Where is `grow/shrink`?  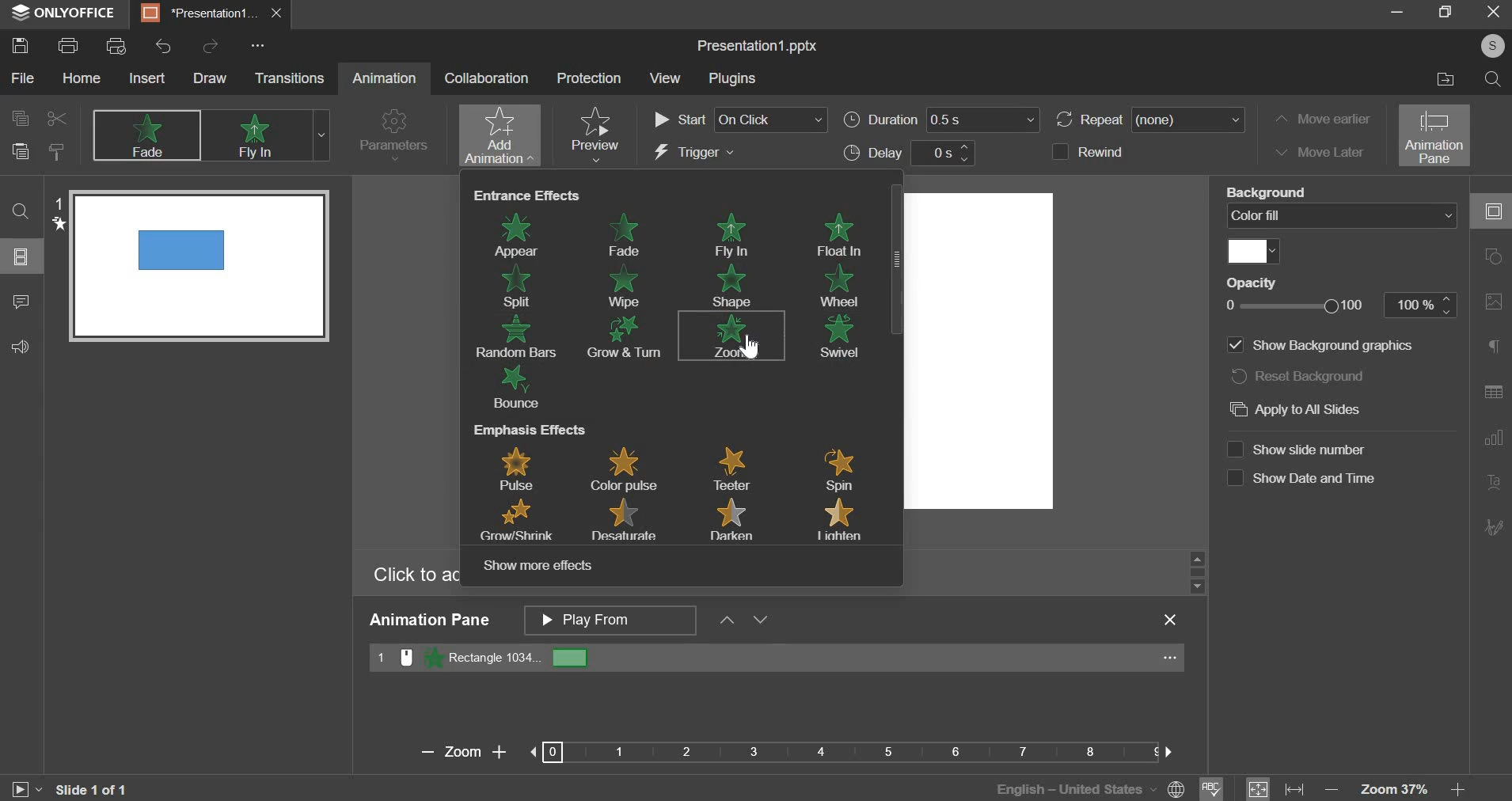 grow/shrink is located at coordinates (522, 521).